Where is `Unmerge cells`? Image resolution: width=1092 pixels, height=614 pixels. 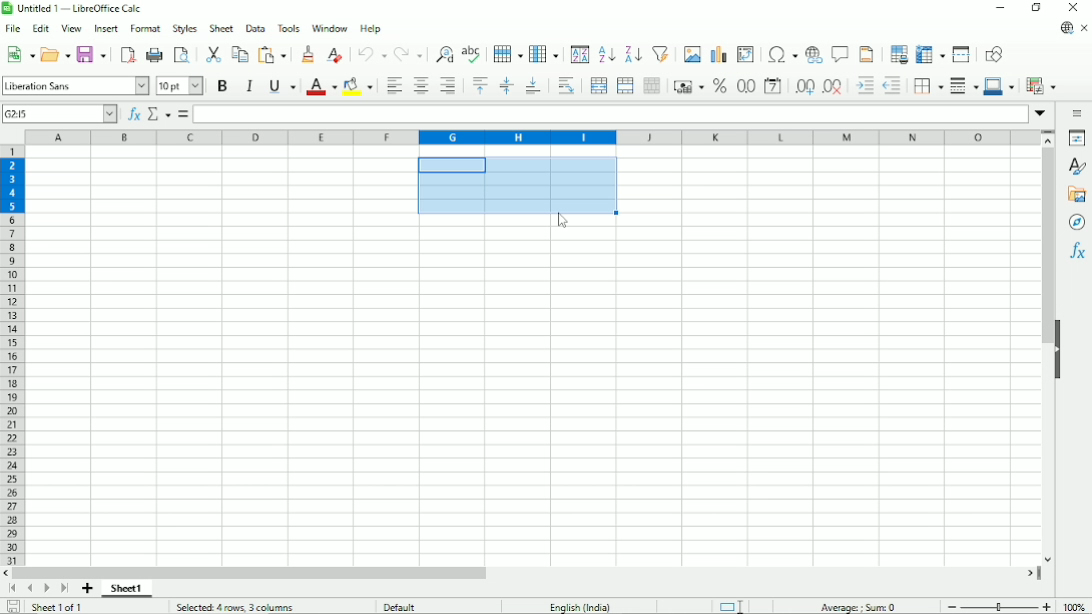
Unmerge cells is located at coordinates (652, 86).